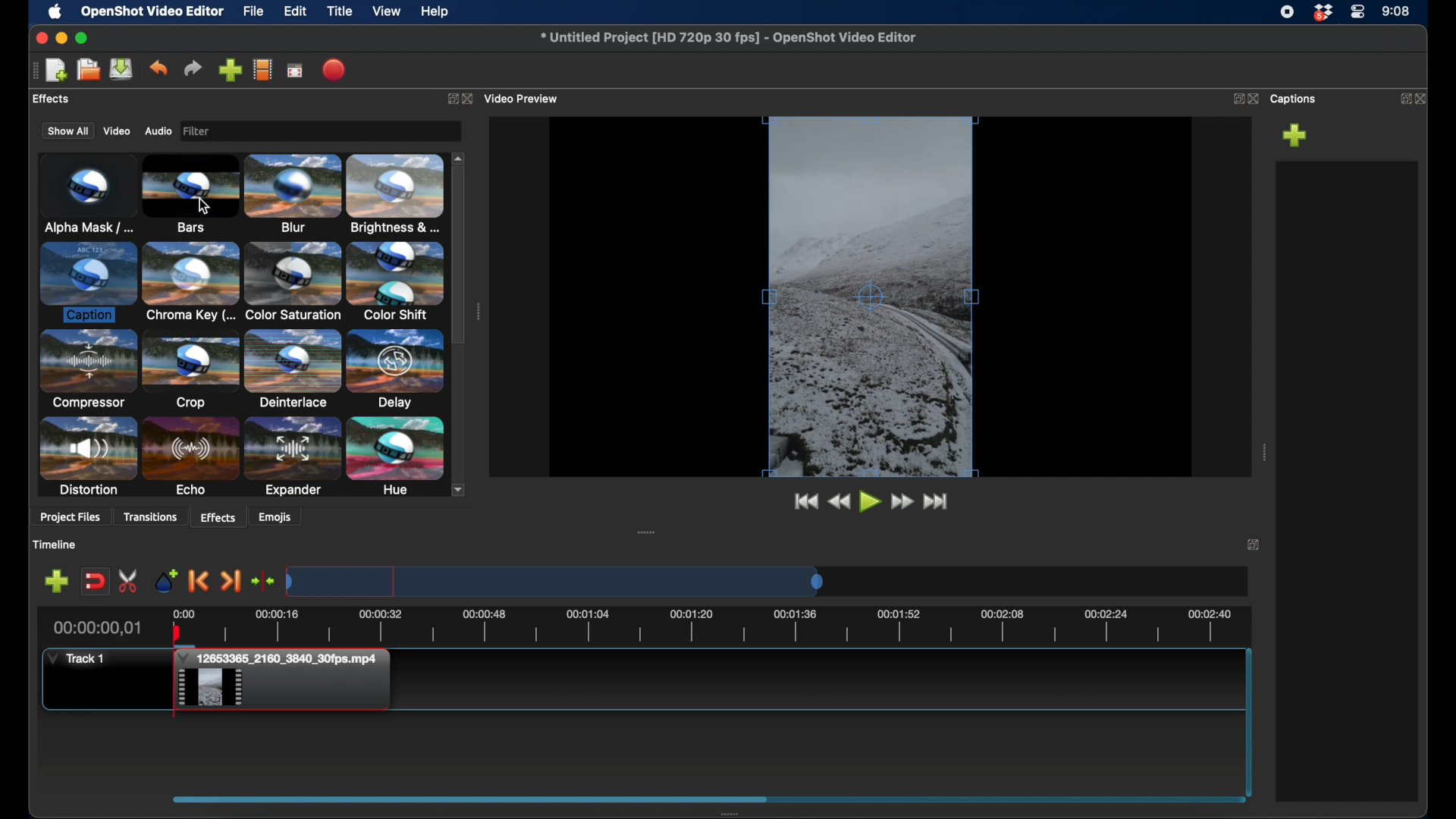 This screenshot has height=819, width=1456. What do you see at coordinates (200, 131) in the screenshot?
I see `image` at bounding box center [200, 131].